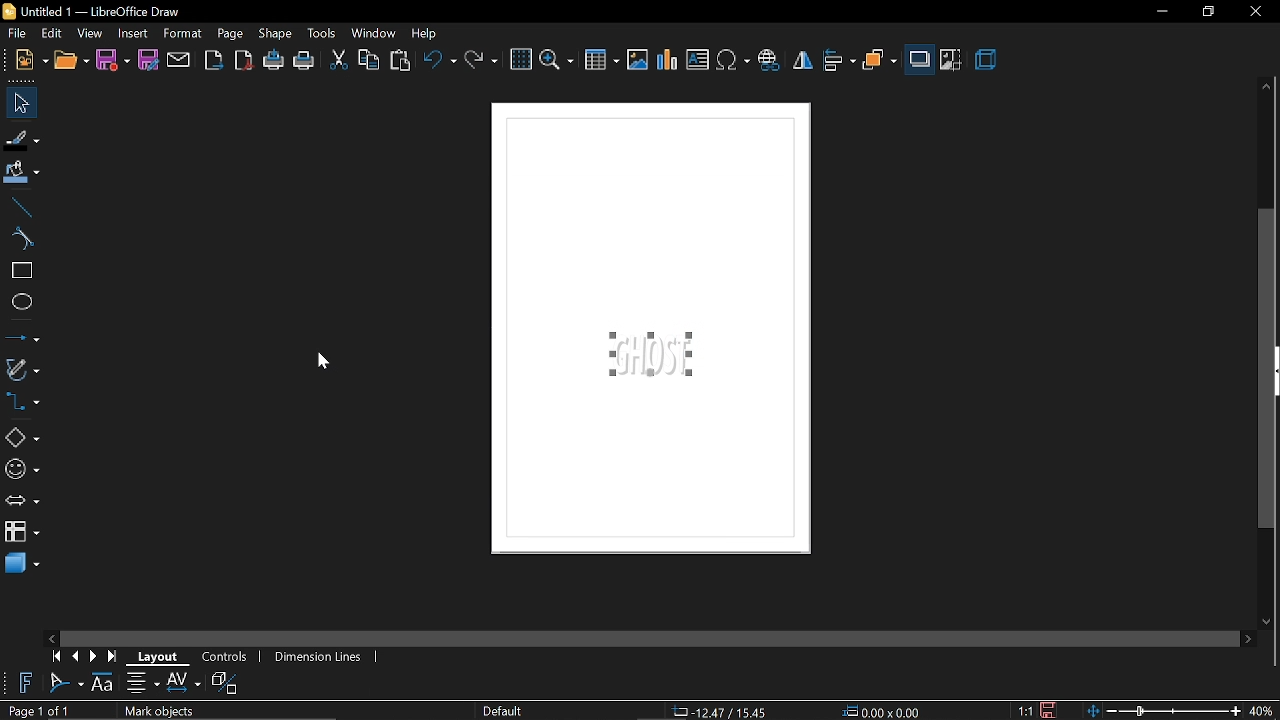  I want to click on export as pdf, so click(244, 61).